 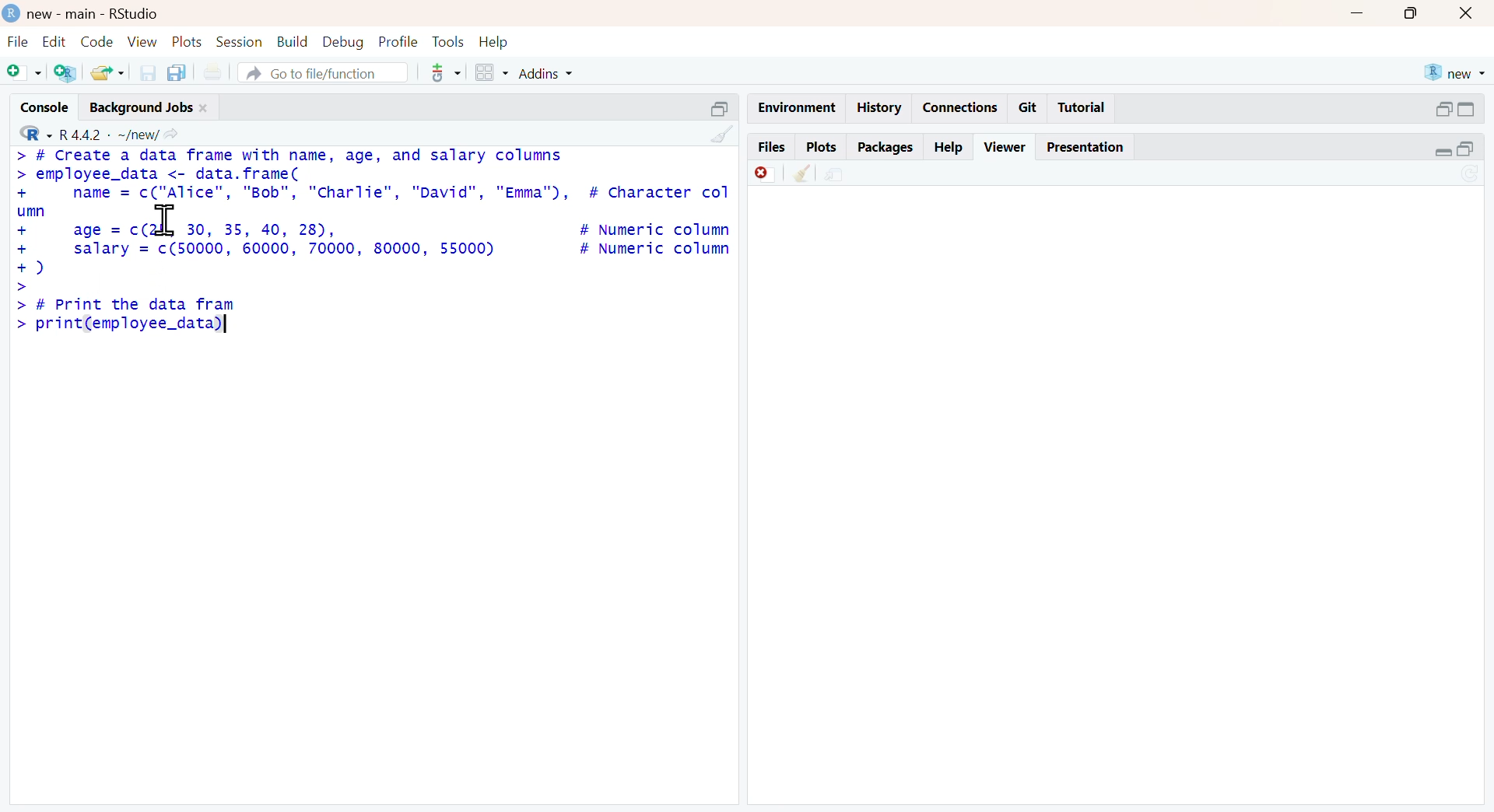 I want to click on close, so click(x=1471, y=13).